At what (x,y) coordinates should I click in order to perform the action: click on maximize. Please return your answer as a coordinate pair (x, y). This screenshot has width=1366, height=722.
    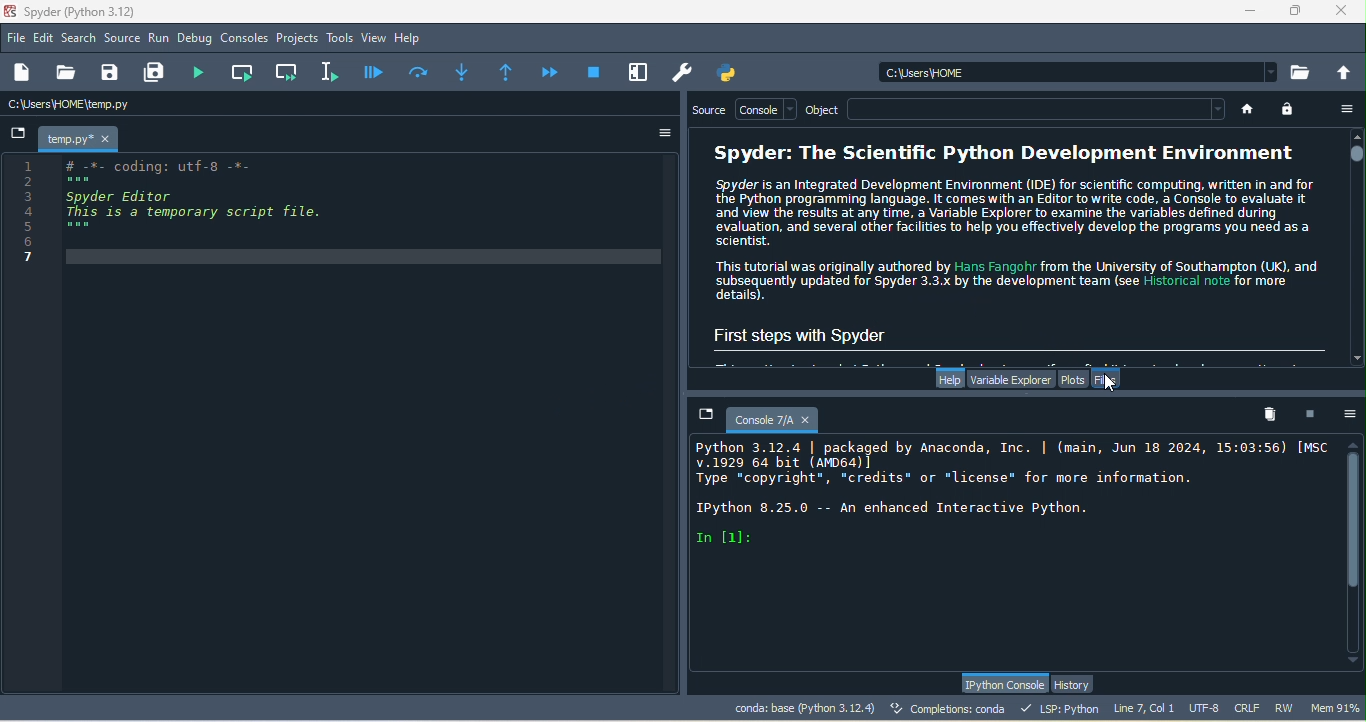
    Looking at the image, I should click on (1297, 11).